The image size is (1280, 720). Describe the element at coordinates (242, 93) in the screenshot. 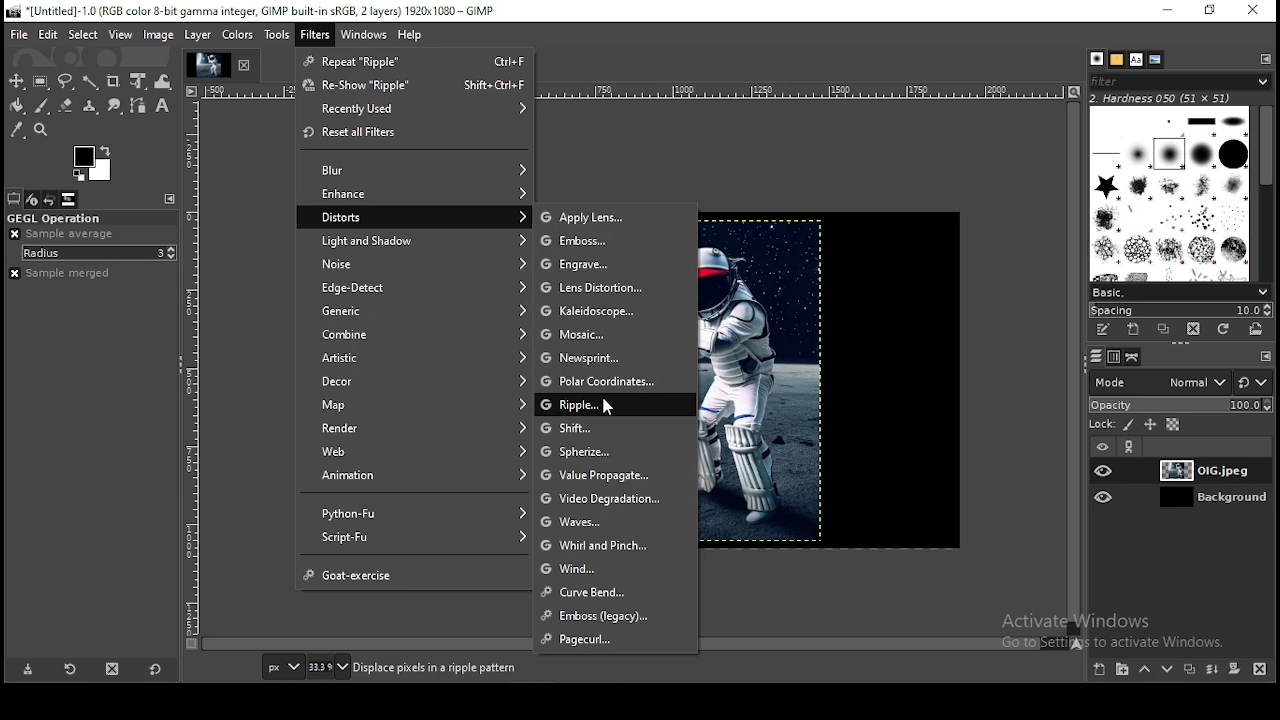

I see `measuring line` at that location.